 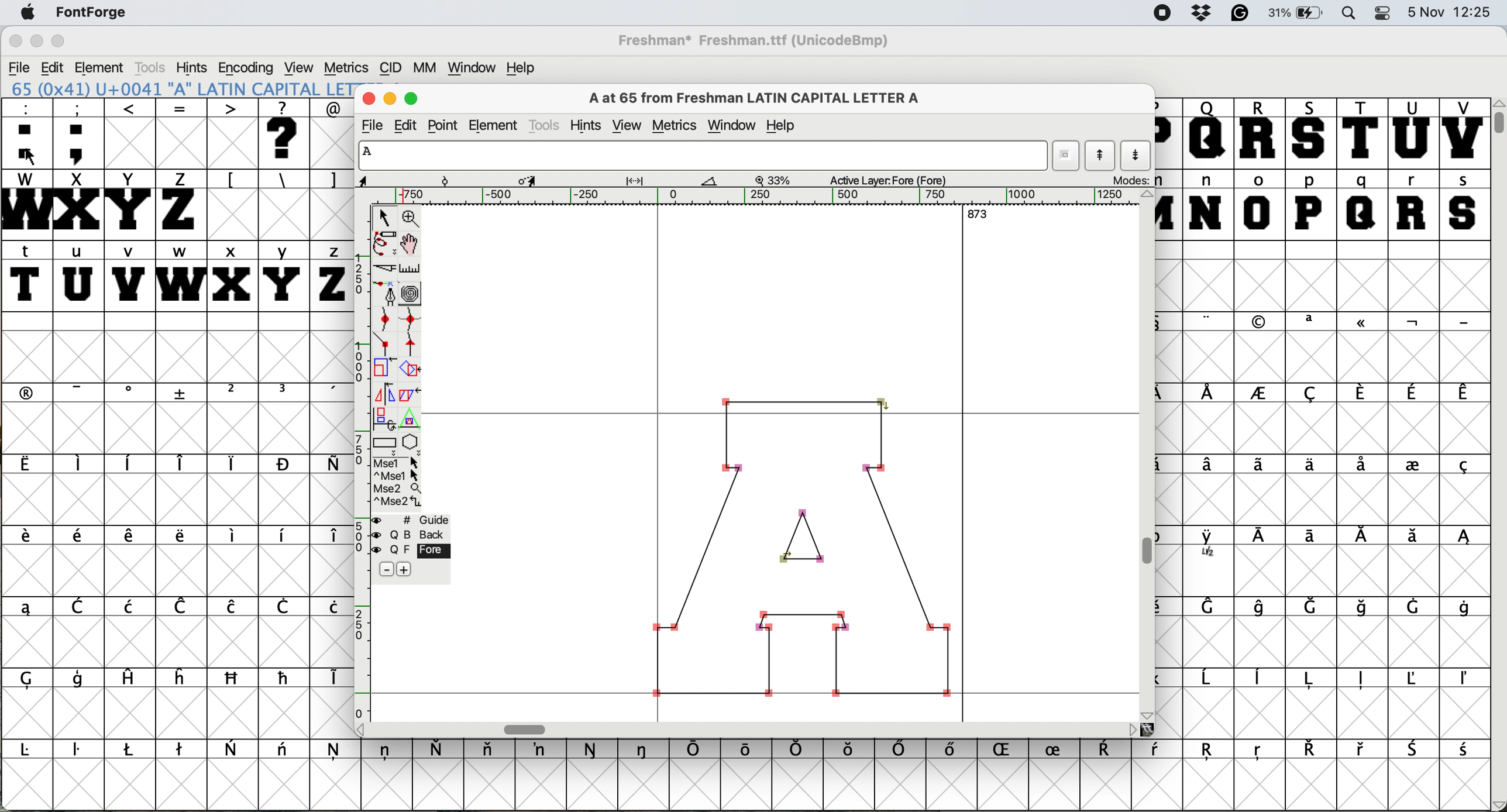 I want to click on symbol, so click(x=1264, y=607).